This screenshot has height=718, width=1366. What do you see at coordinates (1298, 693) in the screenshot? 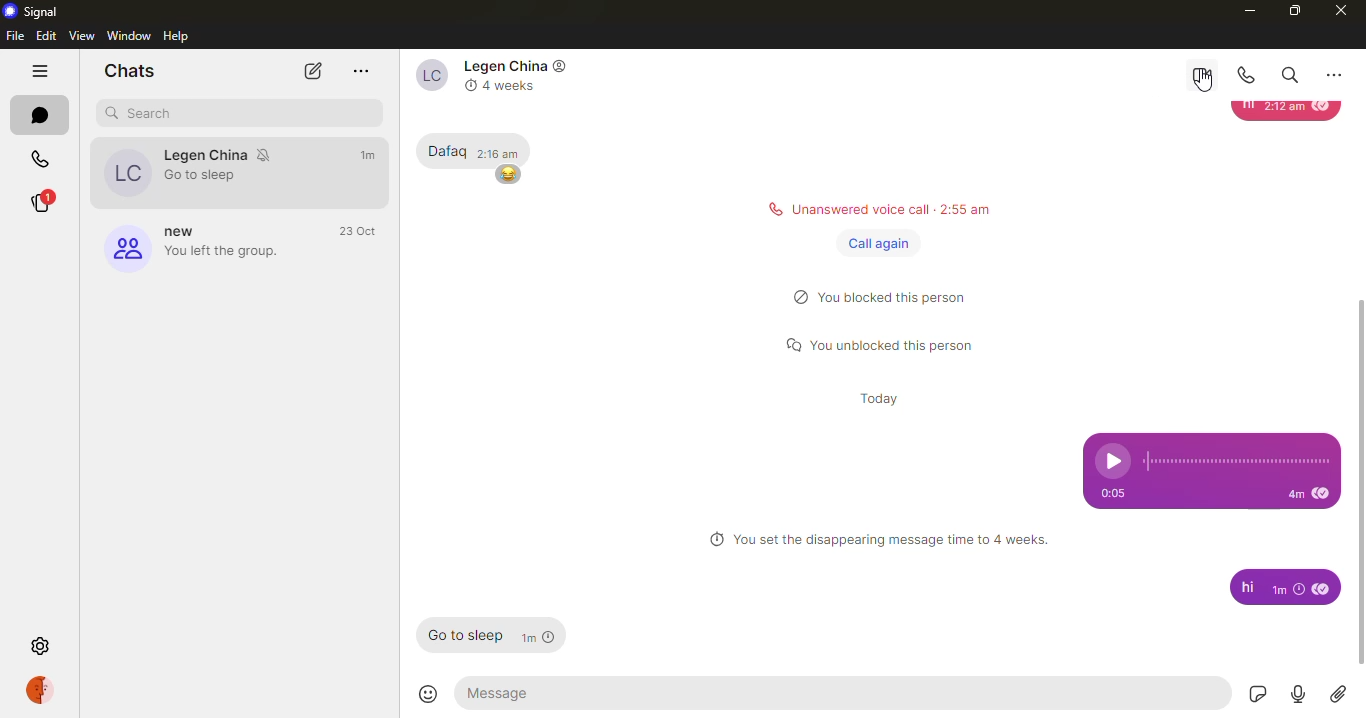
I see `record` at bounding box center [1298, 693].